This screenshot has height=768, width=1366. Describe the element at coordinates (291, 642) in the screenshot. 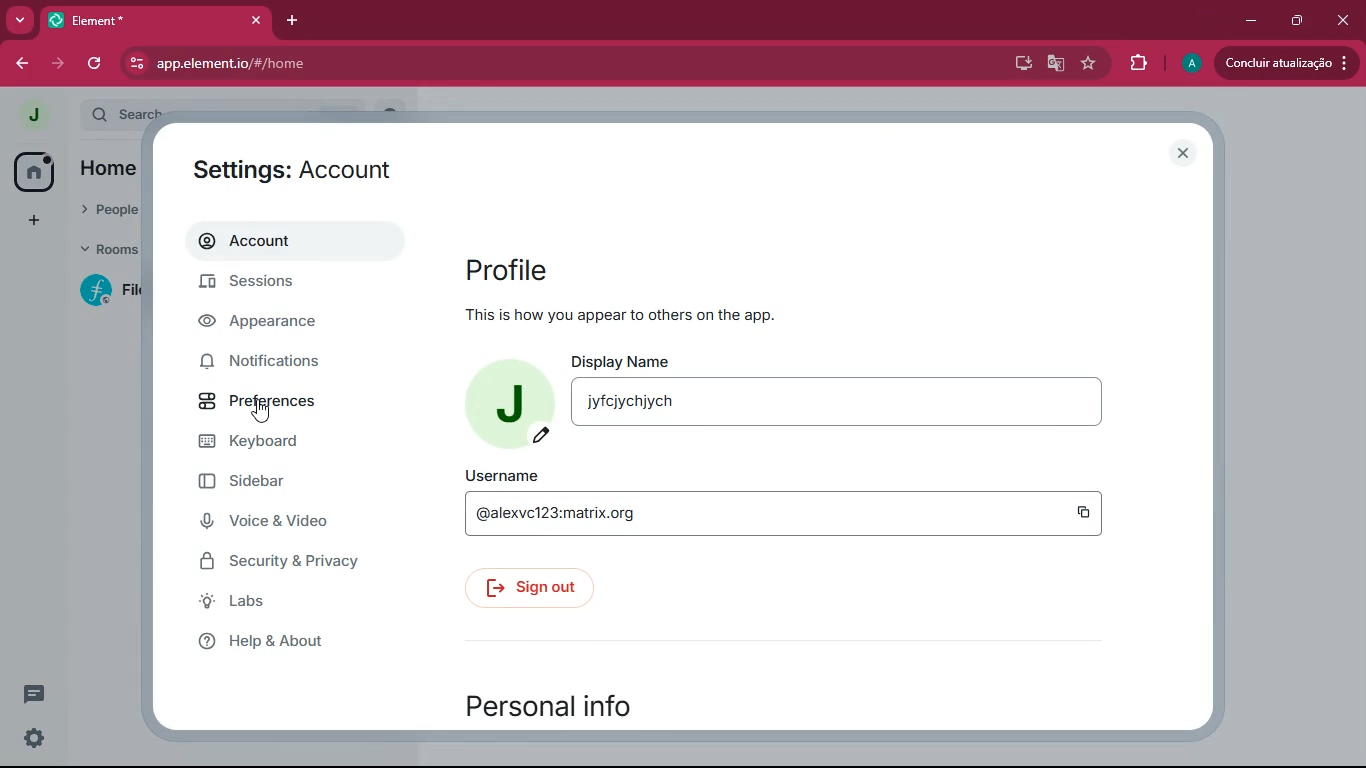

I see `help` at that location.